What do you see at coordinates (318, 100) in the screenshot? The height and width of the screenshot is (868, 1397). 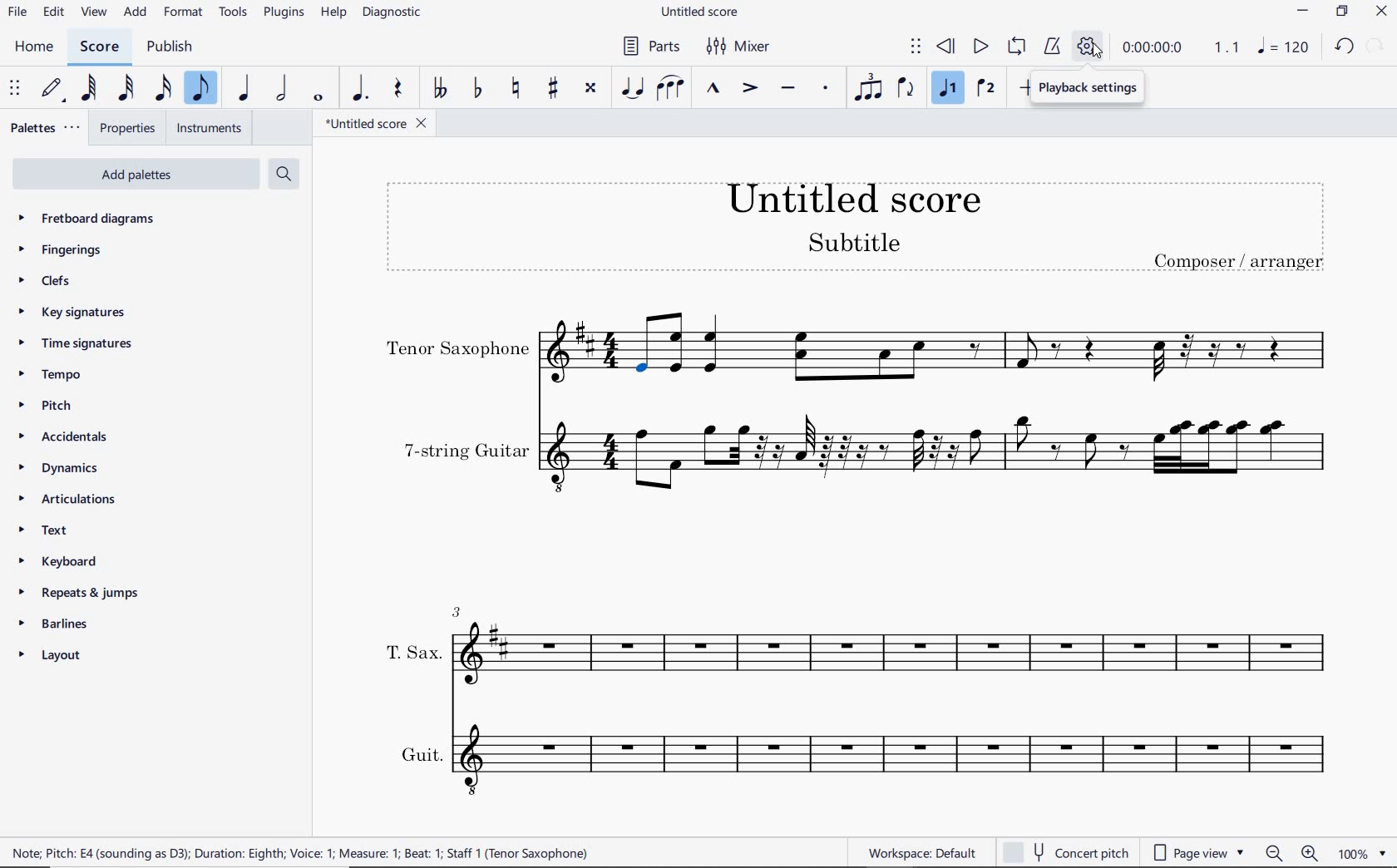 I see `WHOLE NOTE` at bounding box center [318, 100].